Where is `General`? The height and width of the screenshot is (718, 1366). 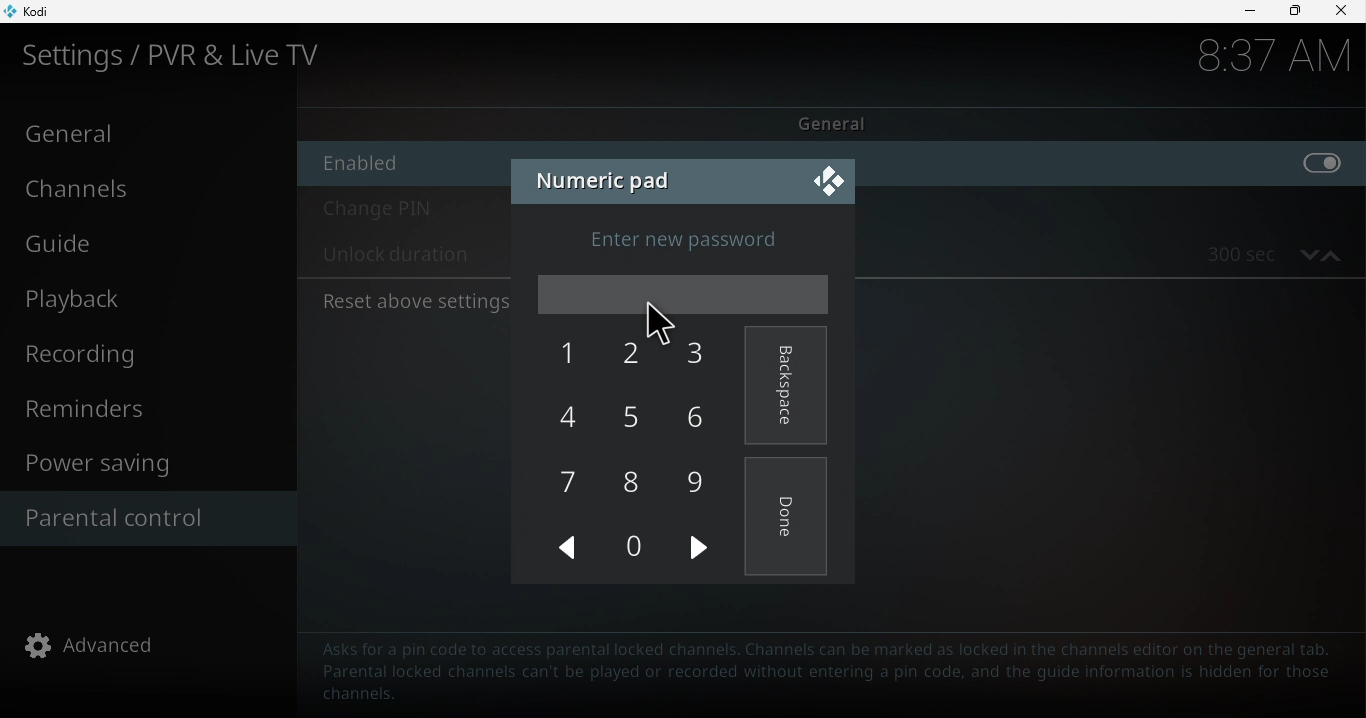 General is located at coordinates (835, 123).